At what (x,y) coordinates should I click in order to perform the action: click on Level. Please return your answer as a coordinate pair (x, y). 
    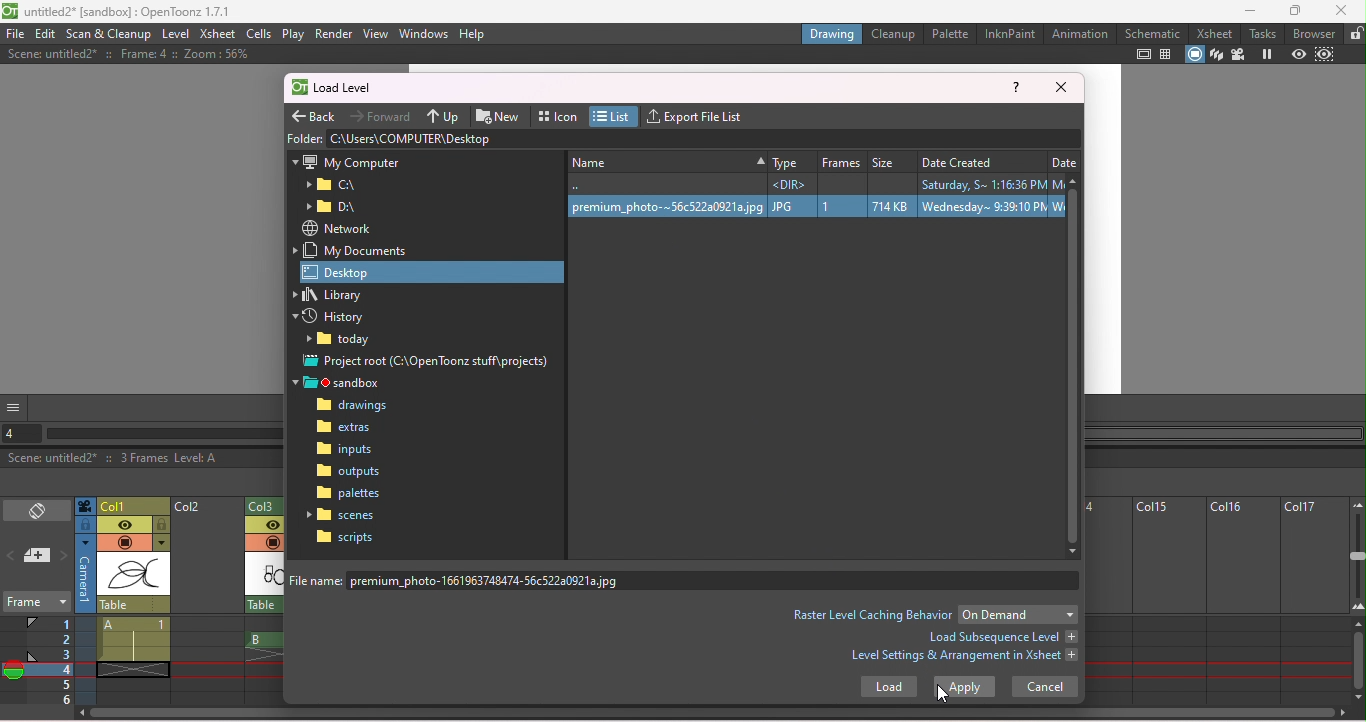
    Looking at the image, I should click on (175, 35).